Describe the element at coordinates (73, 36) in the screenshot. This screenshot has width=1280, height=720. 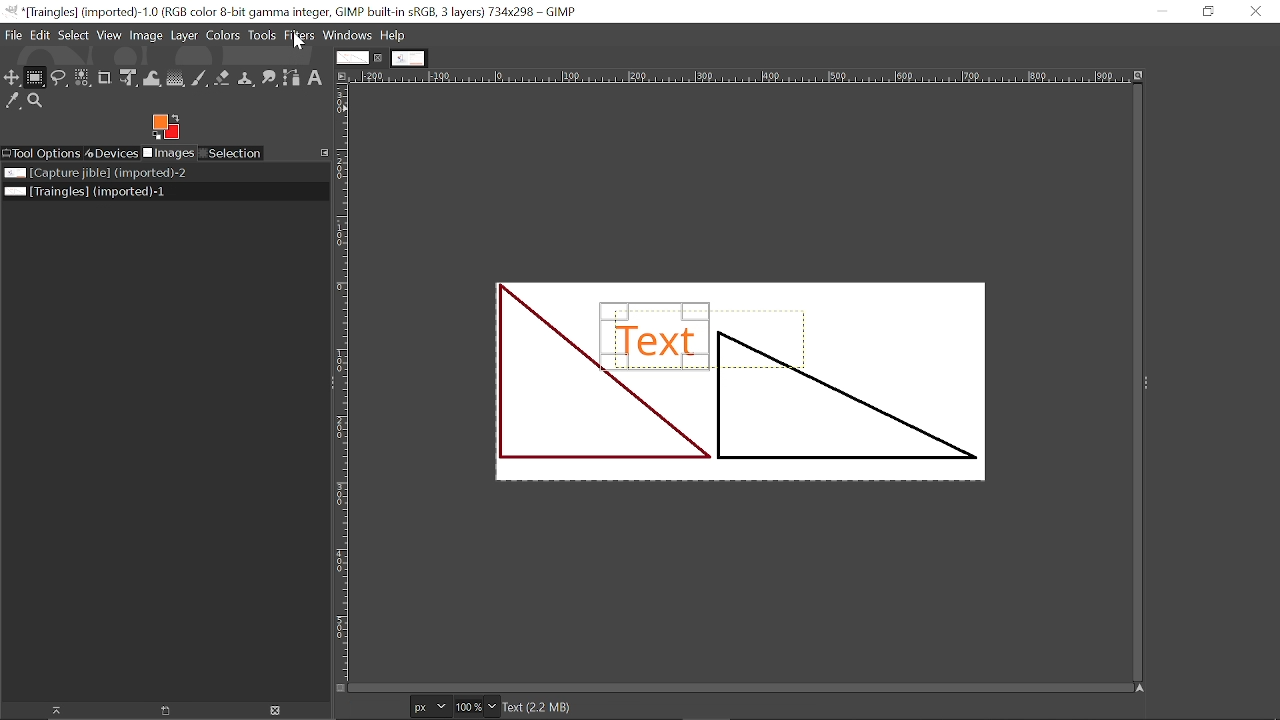
I see `Select` at that location.